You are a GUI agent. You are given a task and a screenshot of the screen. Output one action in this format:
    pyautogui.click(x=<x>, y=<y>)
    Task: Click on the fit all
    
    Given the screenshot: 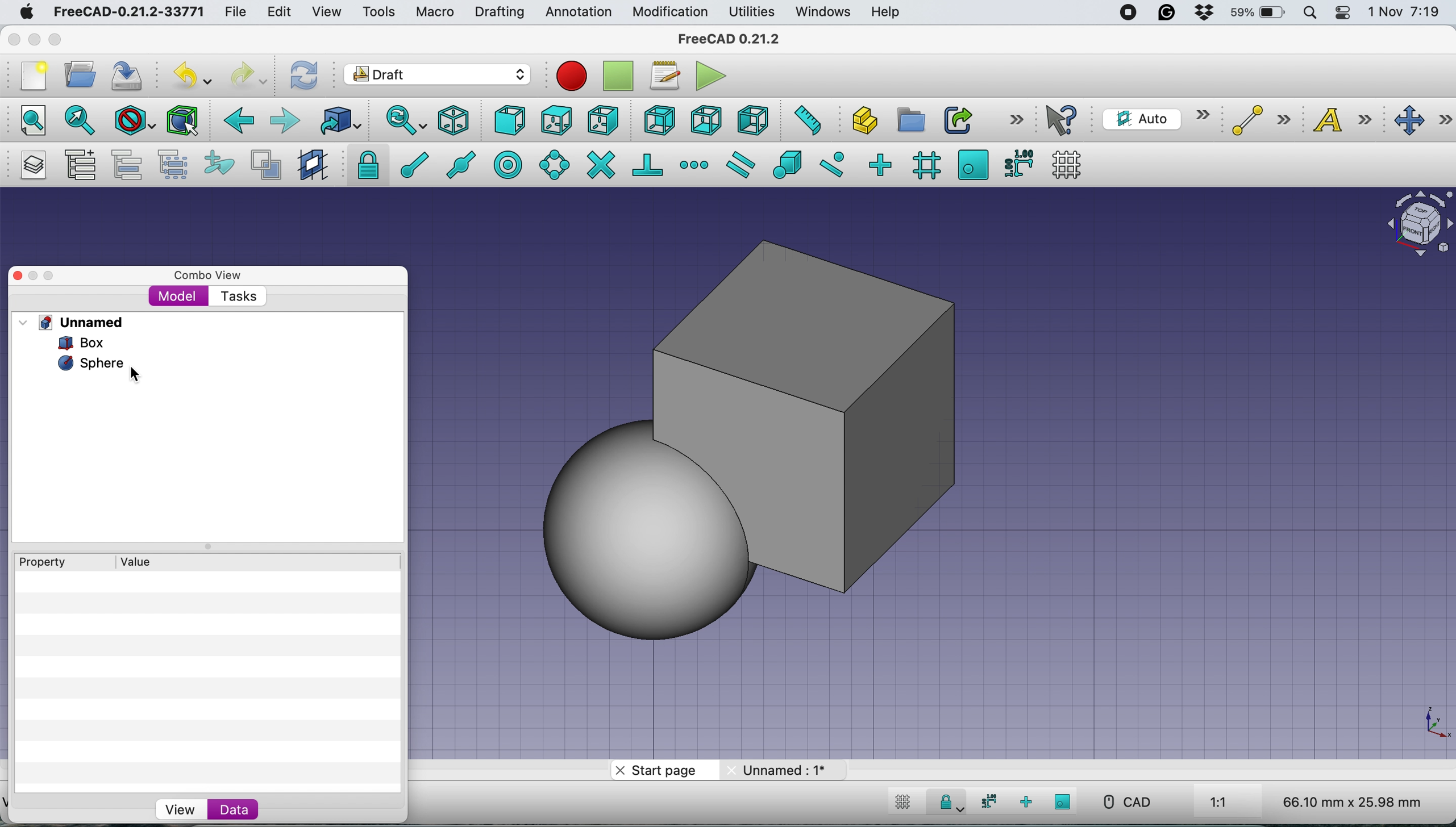 What is the action you would take?
    pyautogui.click(x=27, y=119)
    